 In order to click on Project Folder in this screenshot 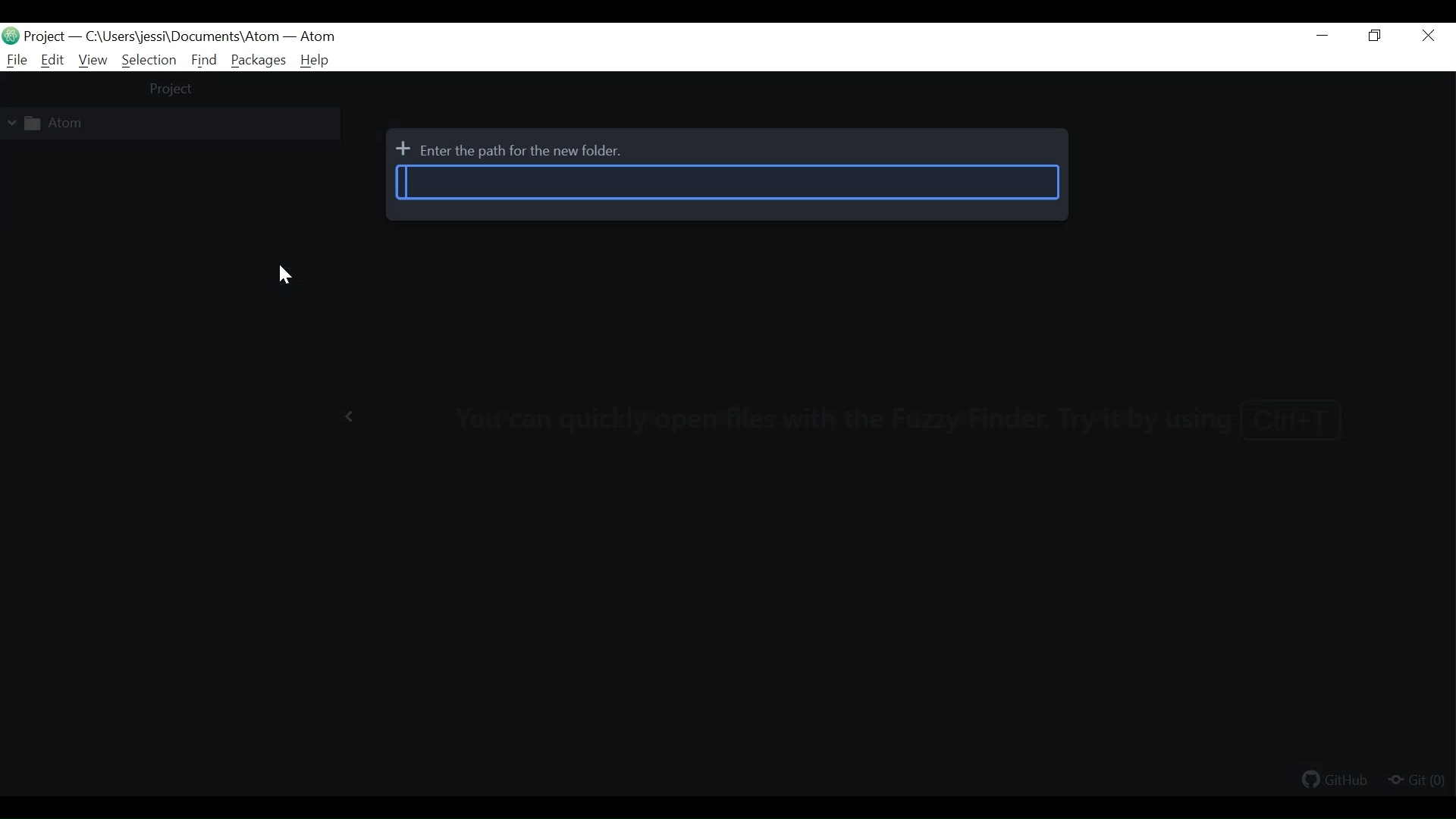, I will do `click(154, 124)`.